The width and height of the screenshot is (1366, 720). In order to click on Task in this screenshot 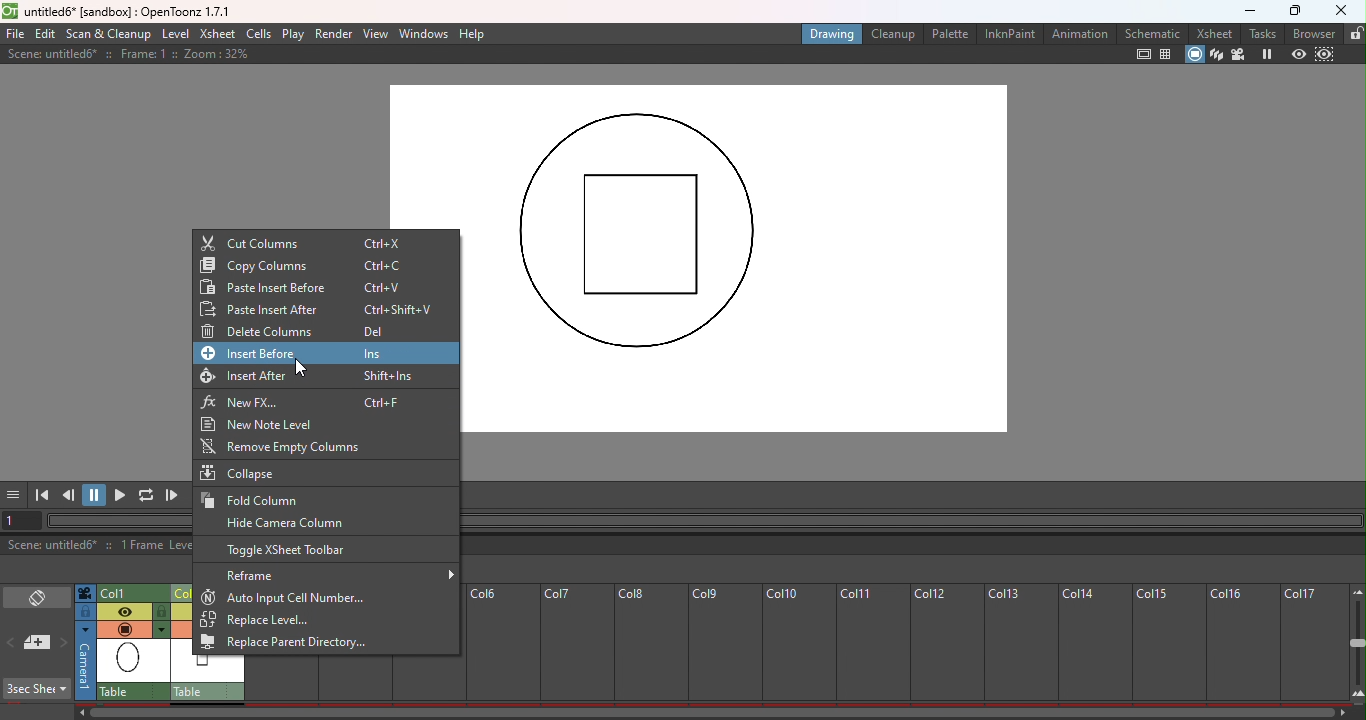, I will do `click(1262, 33)`.